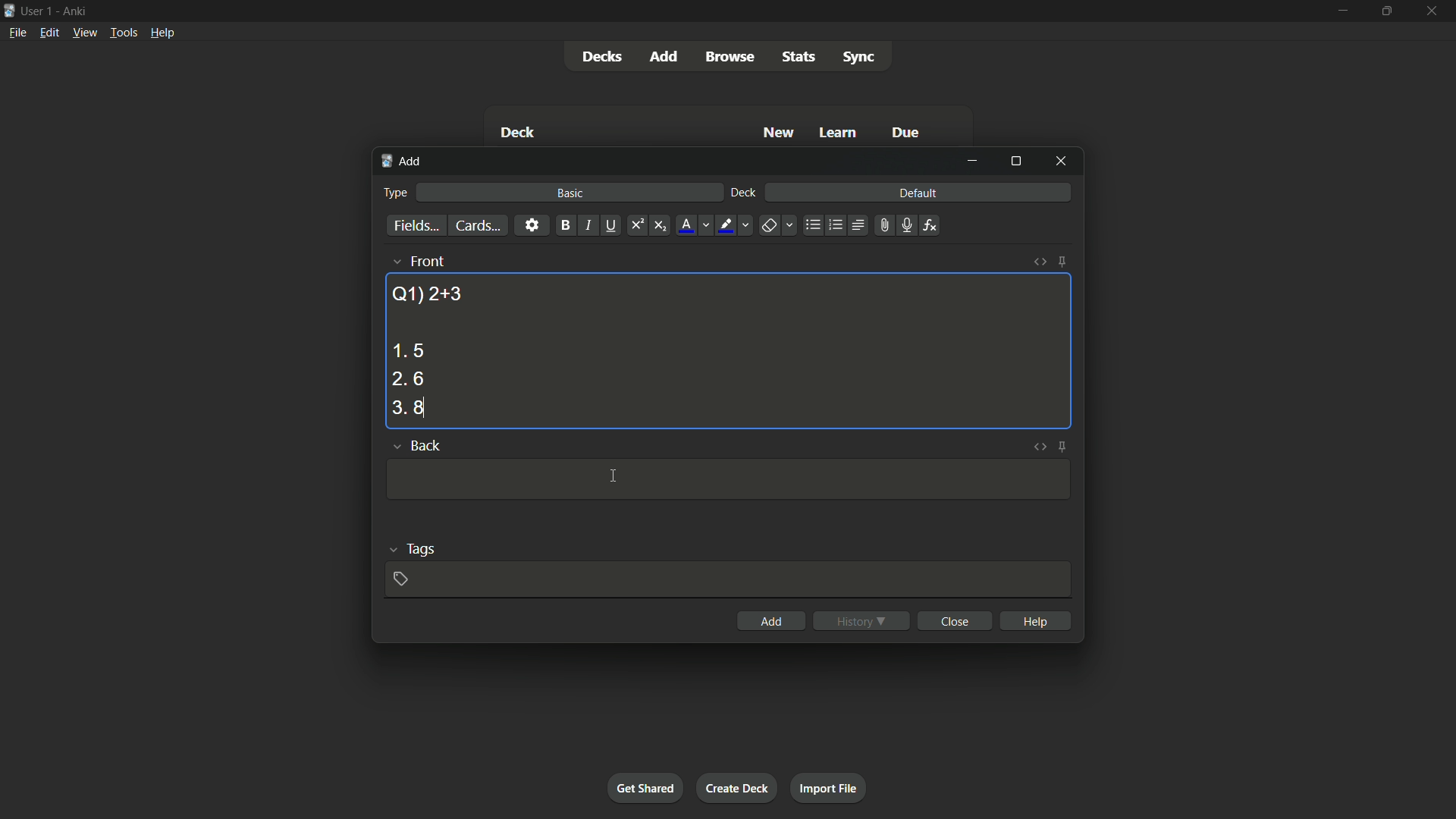 The width and height of the screenshot is (1456, 819). Describe the element at coordinates (827, 786) in the screenshot. I see `import file` at that location.